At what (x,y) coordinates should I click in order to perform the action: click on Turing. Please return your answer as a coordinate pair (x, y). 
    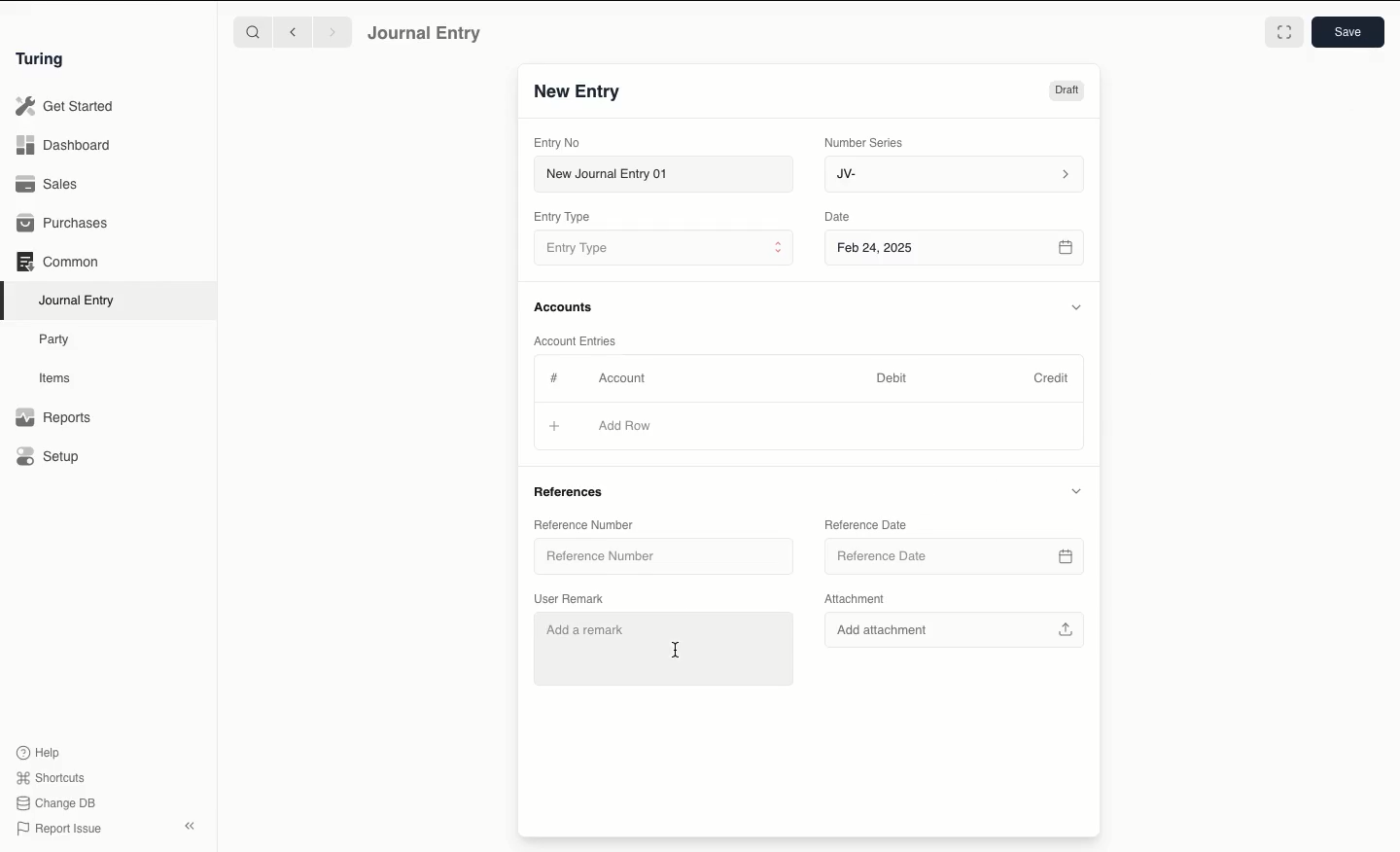
    Looking at the image, I should click on (44, 60).